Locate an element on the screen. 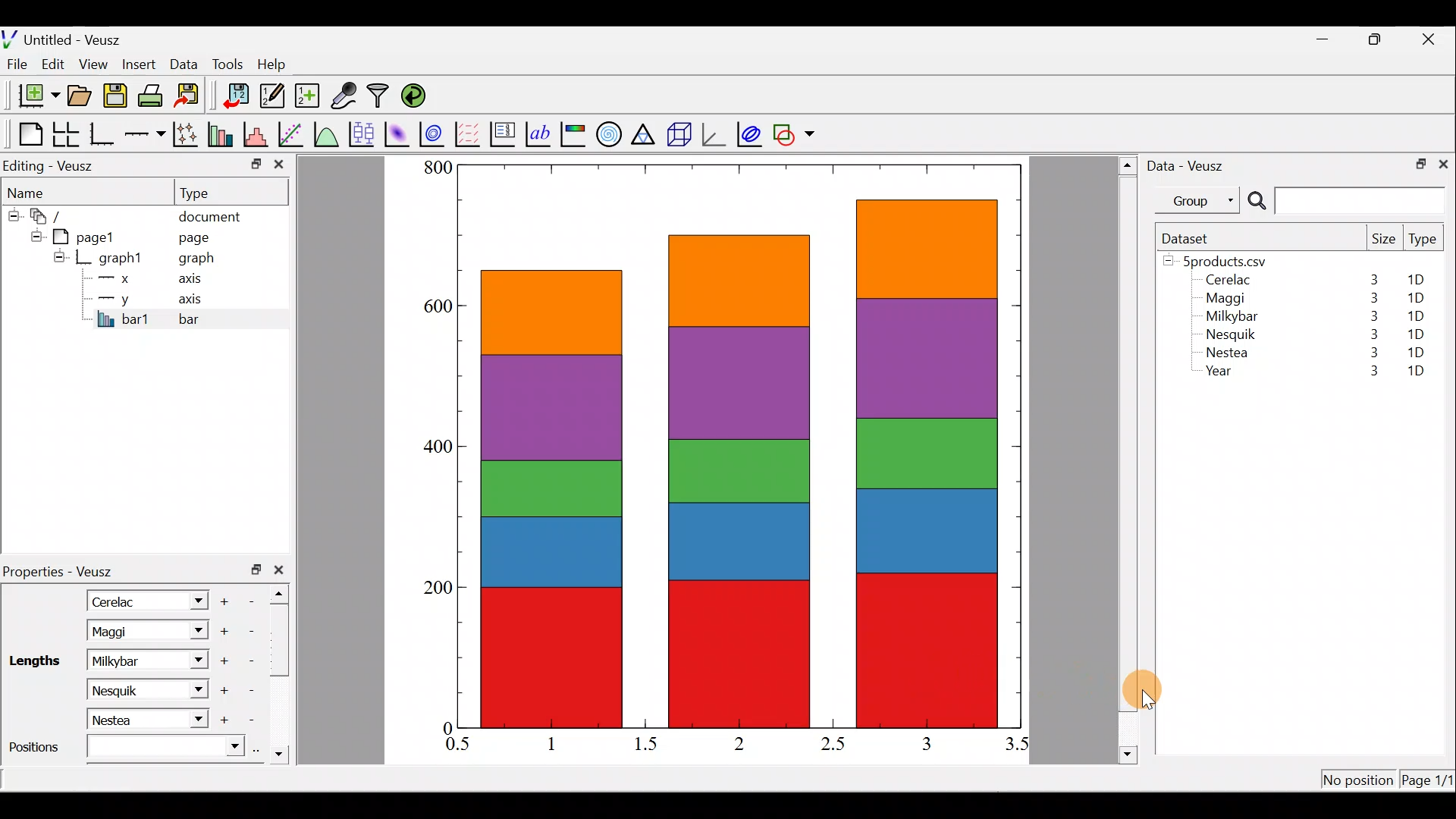  x is located at coordinates (118, 278).